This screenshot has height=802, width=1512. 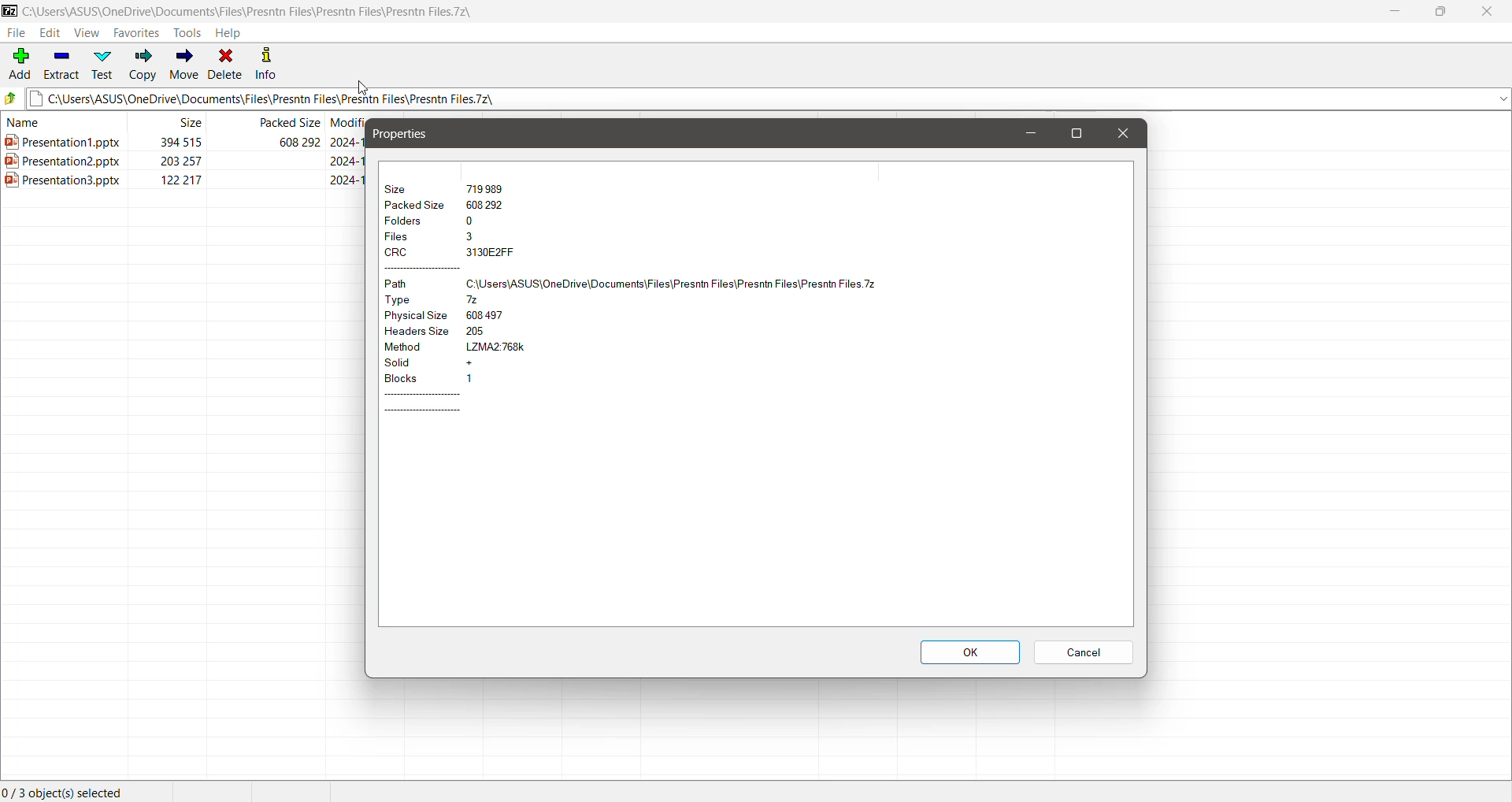 I want to click on Close, so click(x=1487, y=12).